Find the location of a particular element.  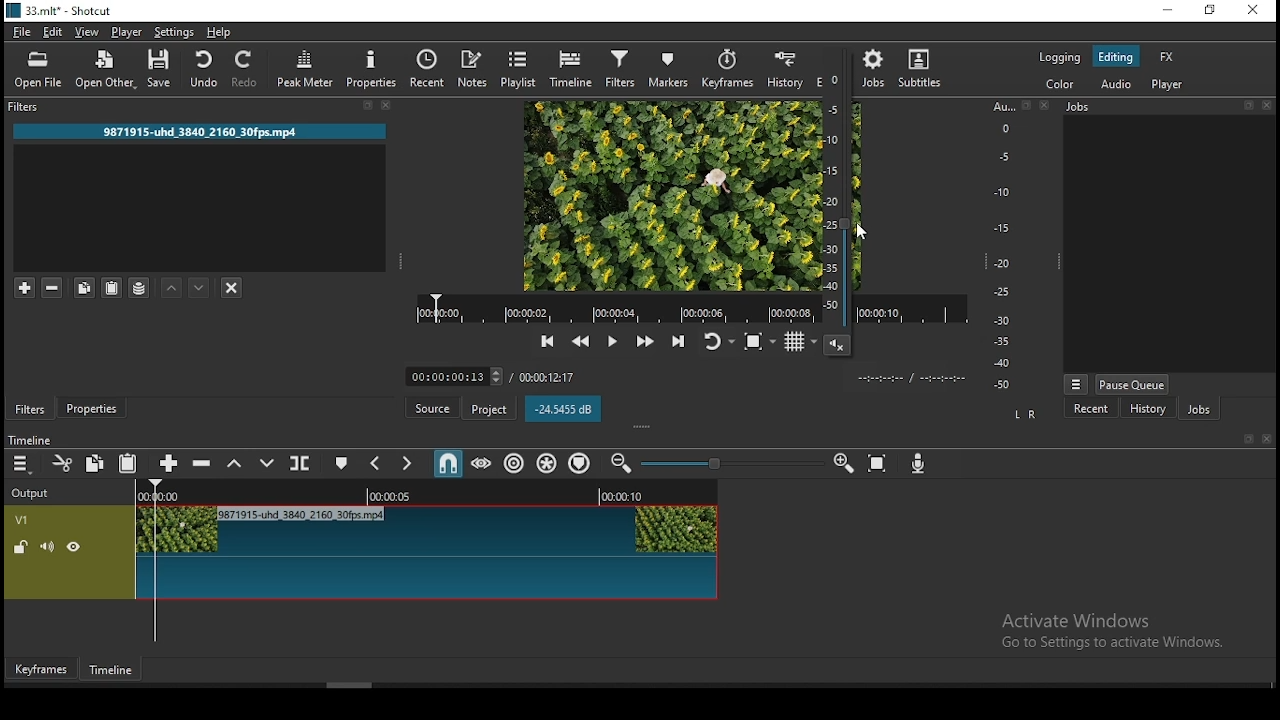

playlist is located at coordinates (519, 68).